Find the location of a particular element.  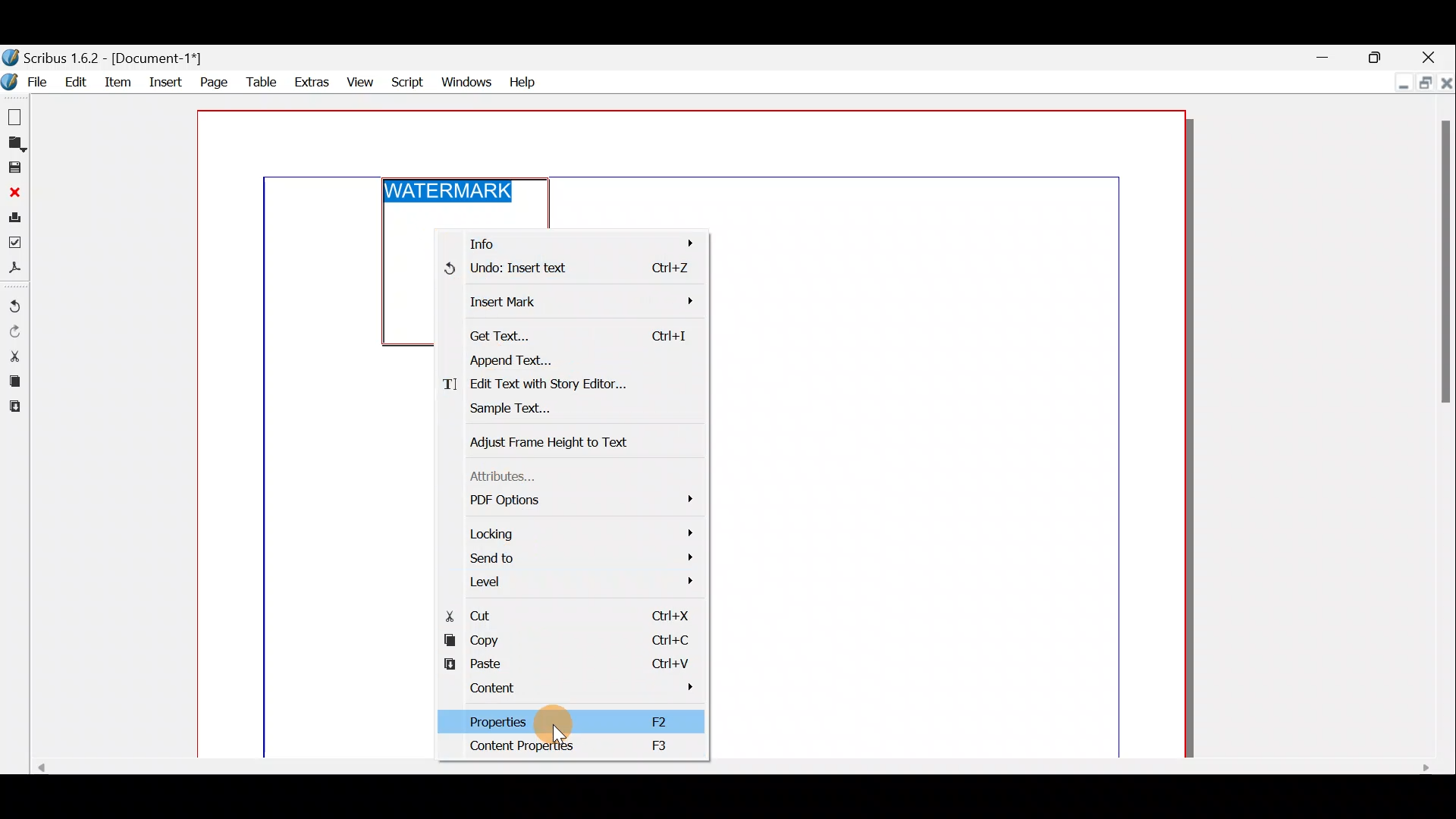

Close is located at coordinates (14, 193).